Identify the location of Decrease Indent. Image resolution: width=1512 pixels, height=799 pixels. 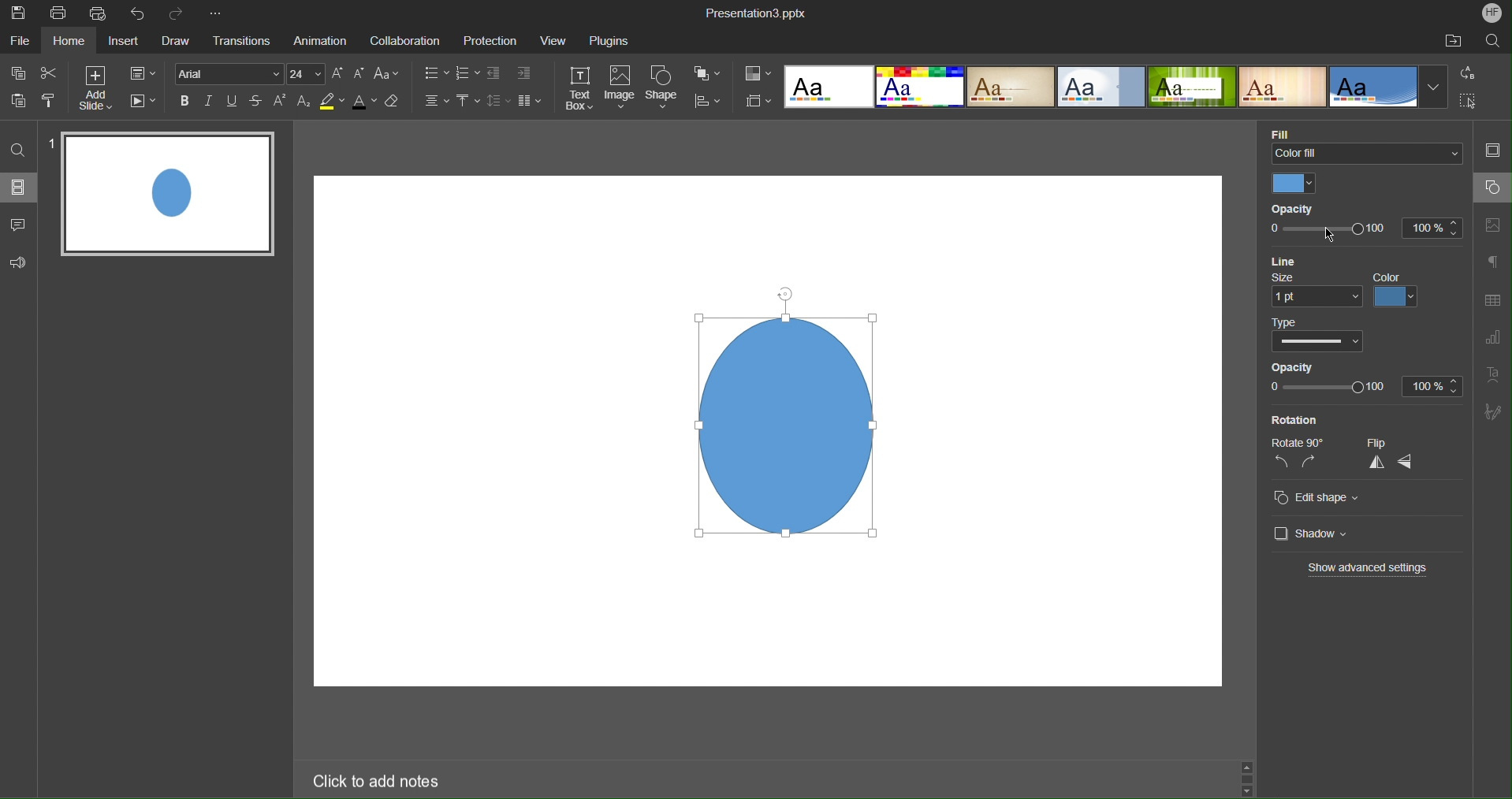
(495, 74).